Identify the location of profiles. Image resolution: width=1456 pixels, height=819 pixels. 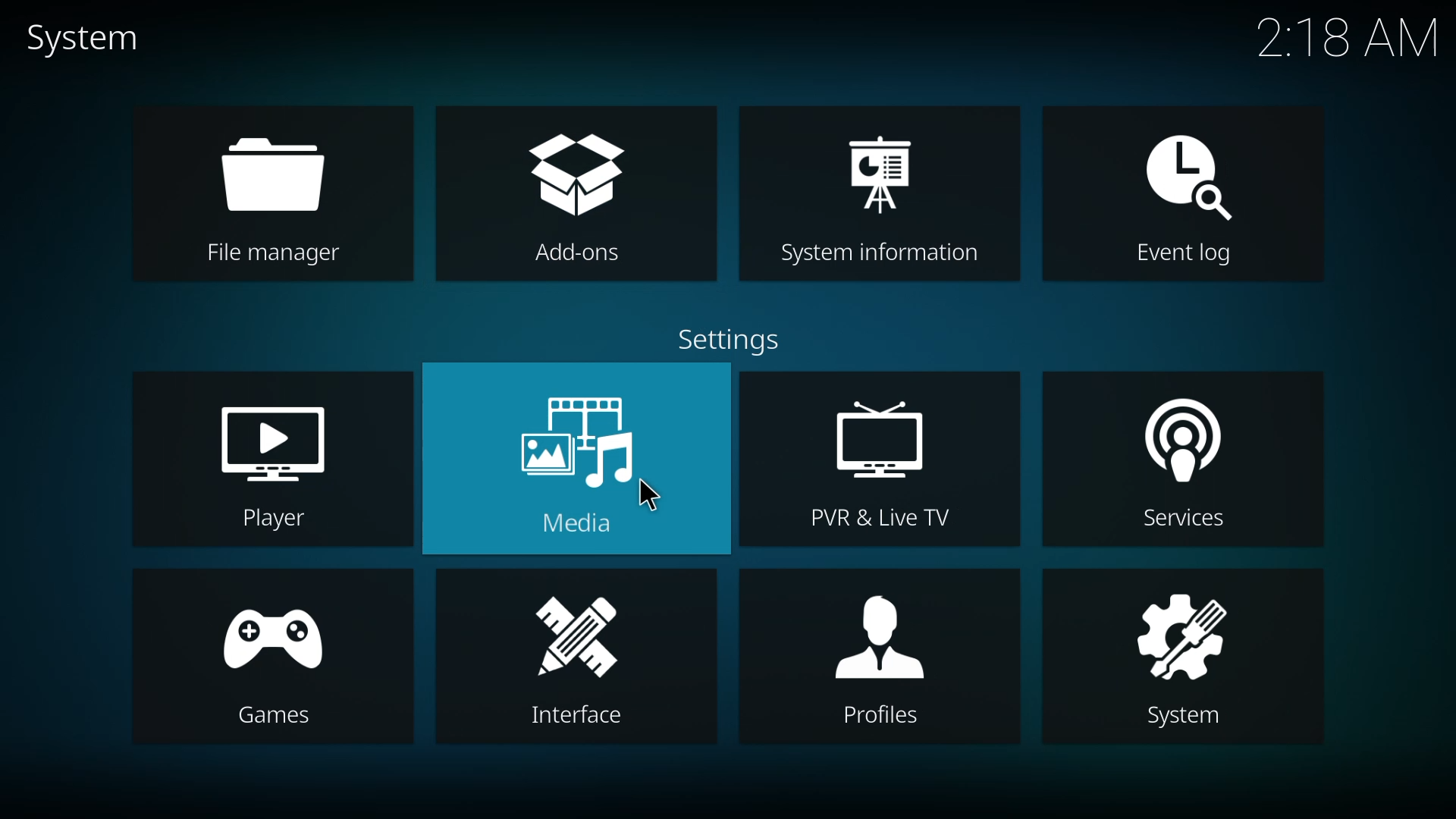
(885, 655).